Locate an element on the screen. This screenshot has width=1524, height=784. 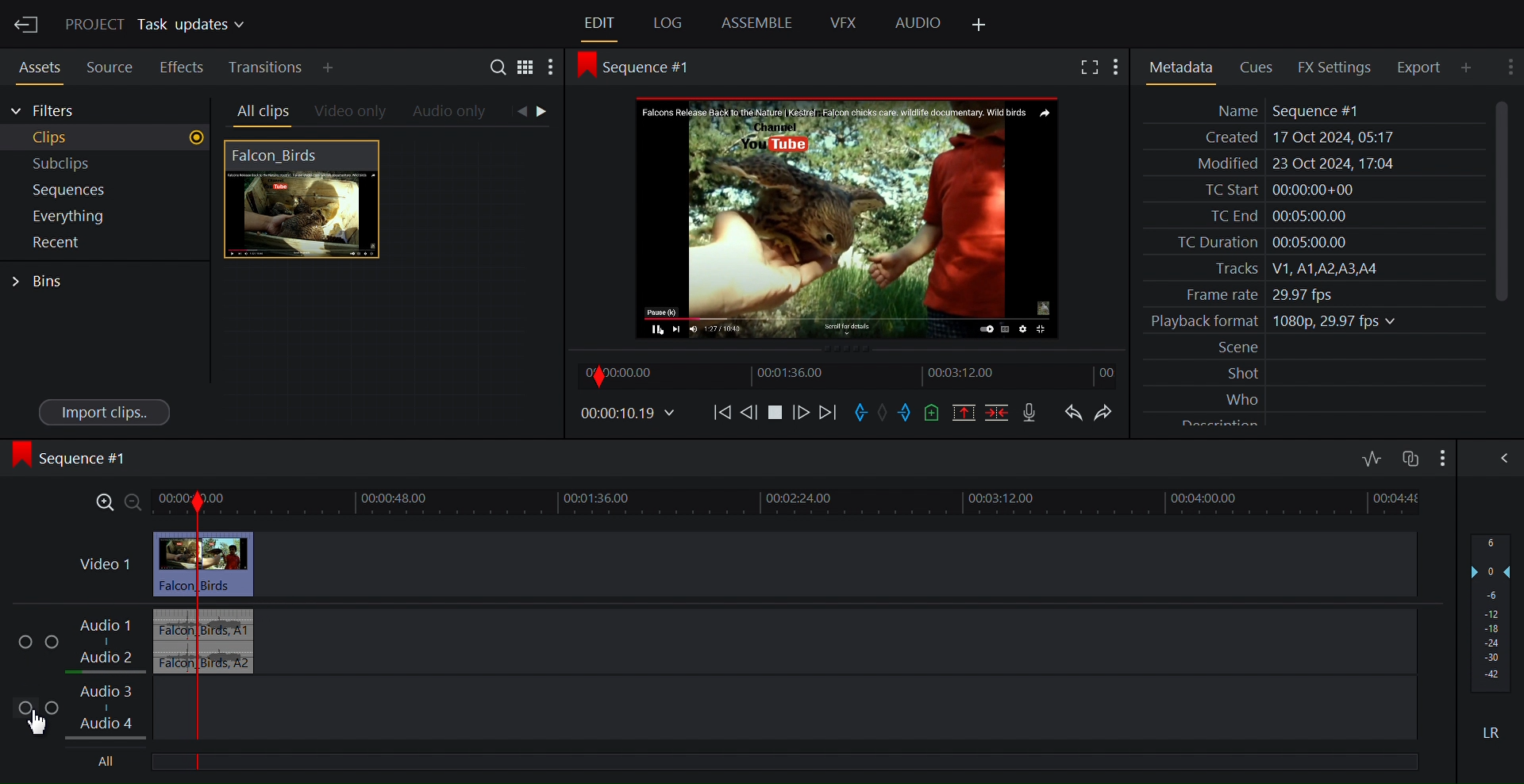
Move Forward is located at coordinates (826, 415).